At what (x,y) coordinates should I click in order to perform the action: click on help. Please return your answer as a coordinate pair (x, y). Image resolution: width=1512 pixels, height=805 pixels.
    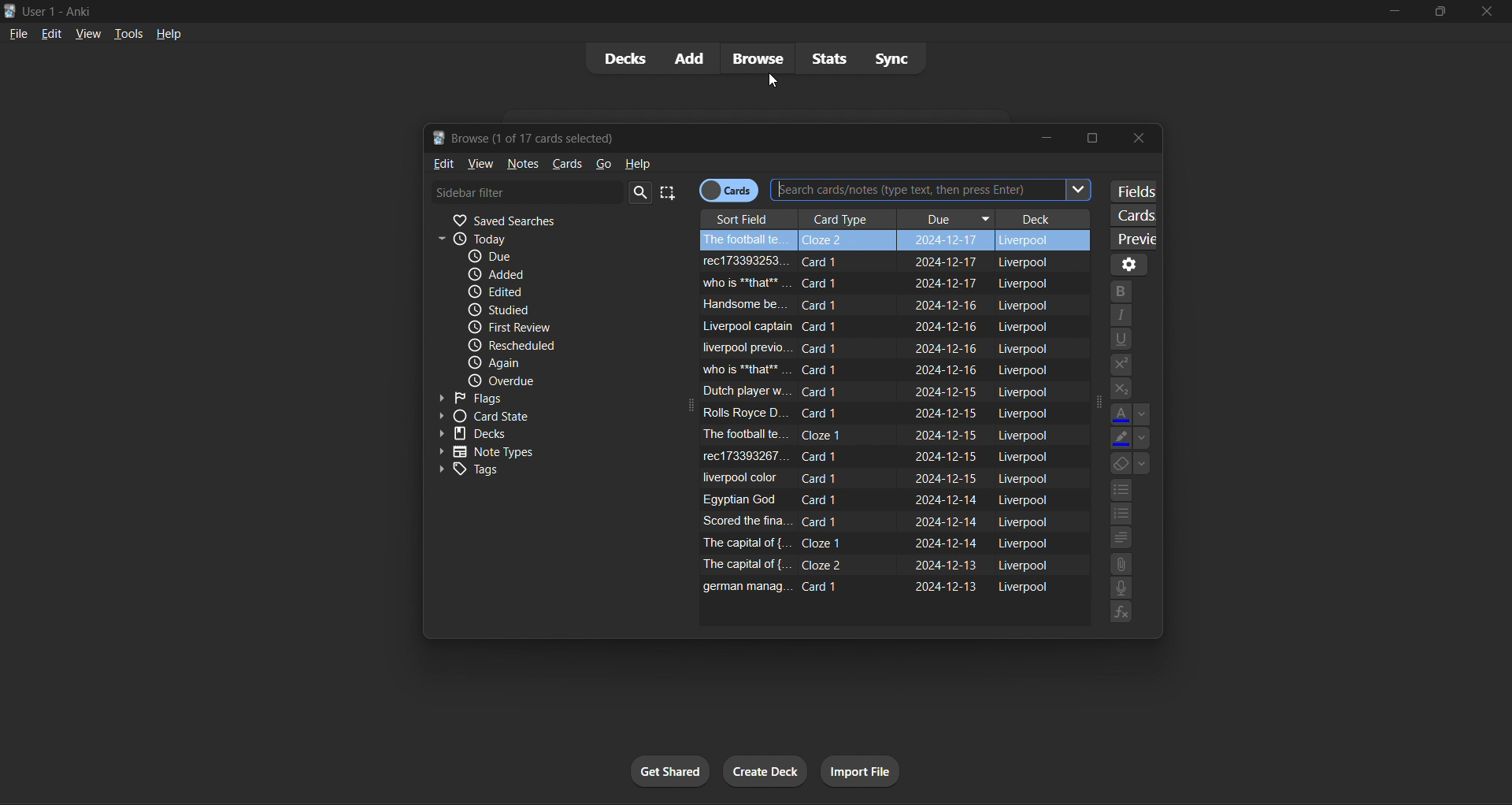
    Looking at the image, I should click on (639, 165).